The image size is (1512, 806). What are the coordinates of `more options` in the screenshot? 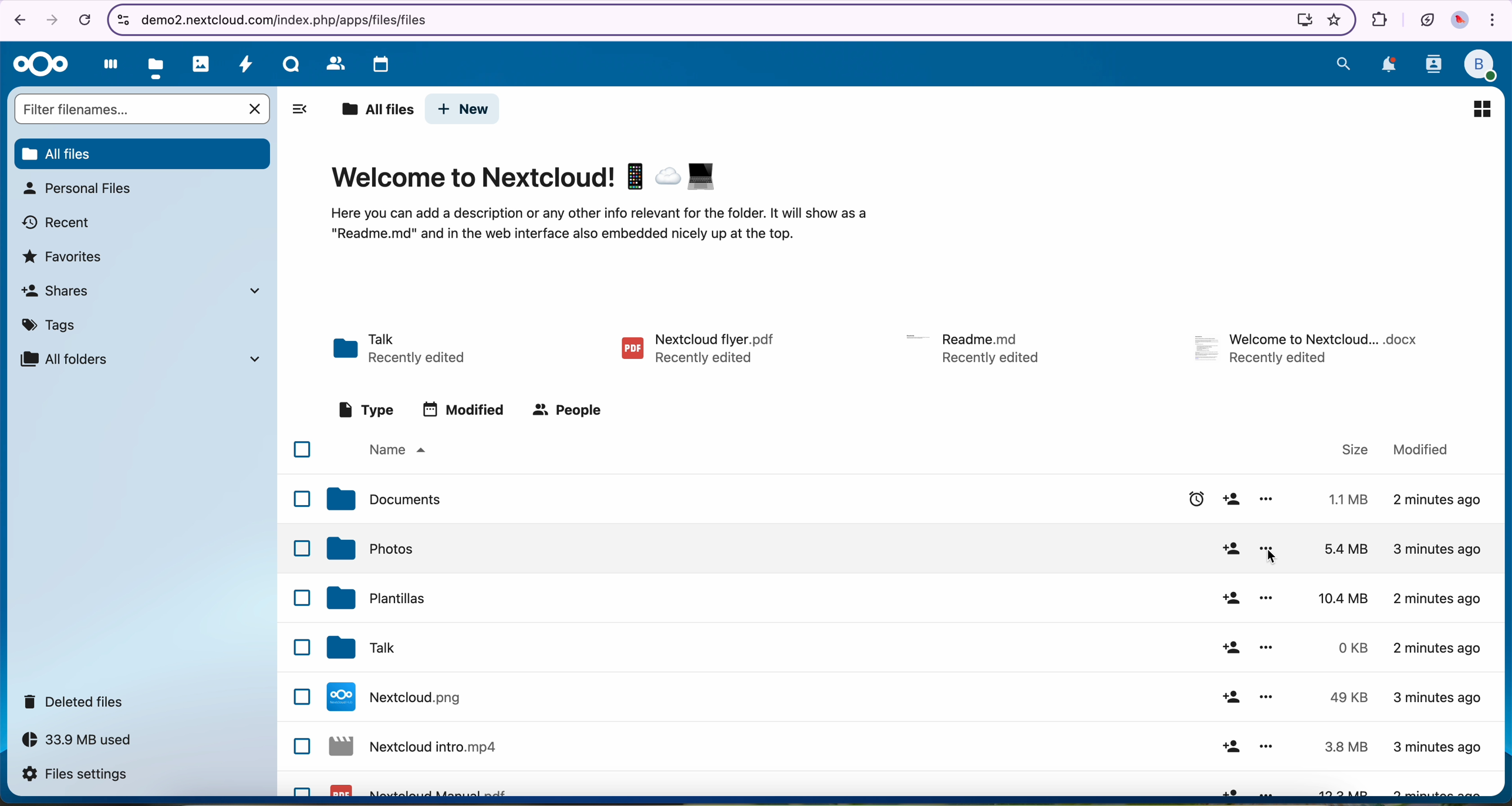 It's located at (1266, 499).